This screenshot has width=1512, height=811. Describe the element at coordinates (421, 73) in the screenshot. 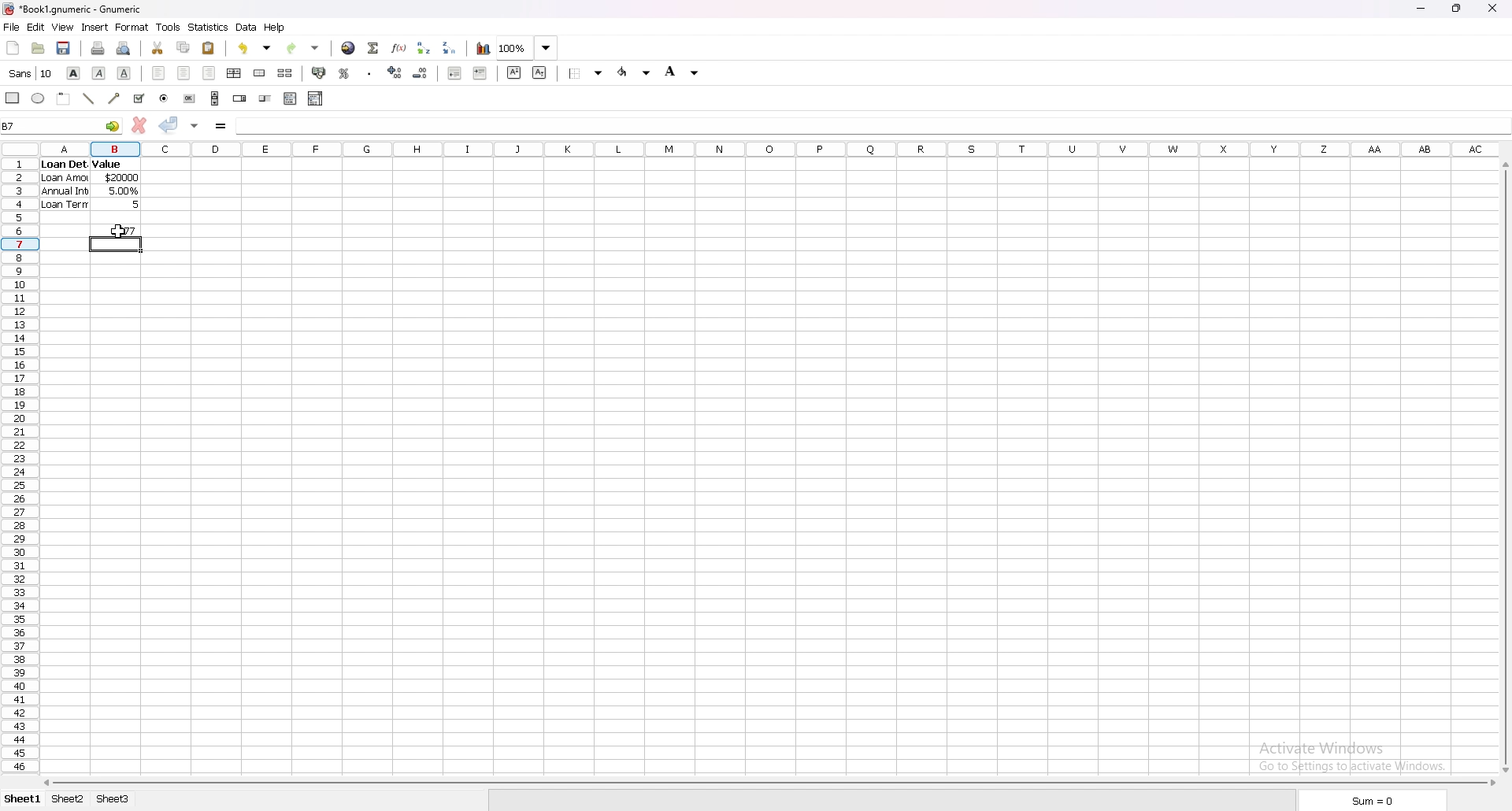

I see `decrease decimals` at that location.